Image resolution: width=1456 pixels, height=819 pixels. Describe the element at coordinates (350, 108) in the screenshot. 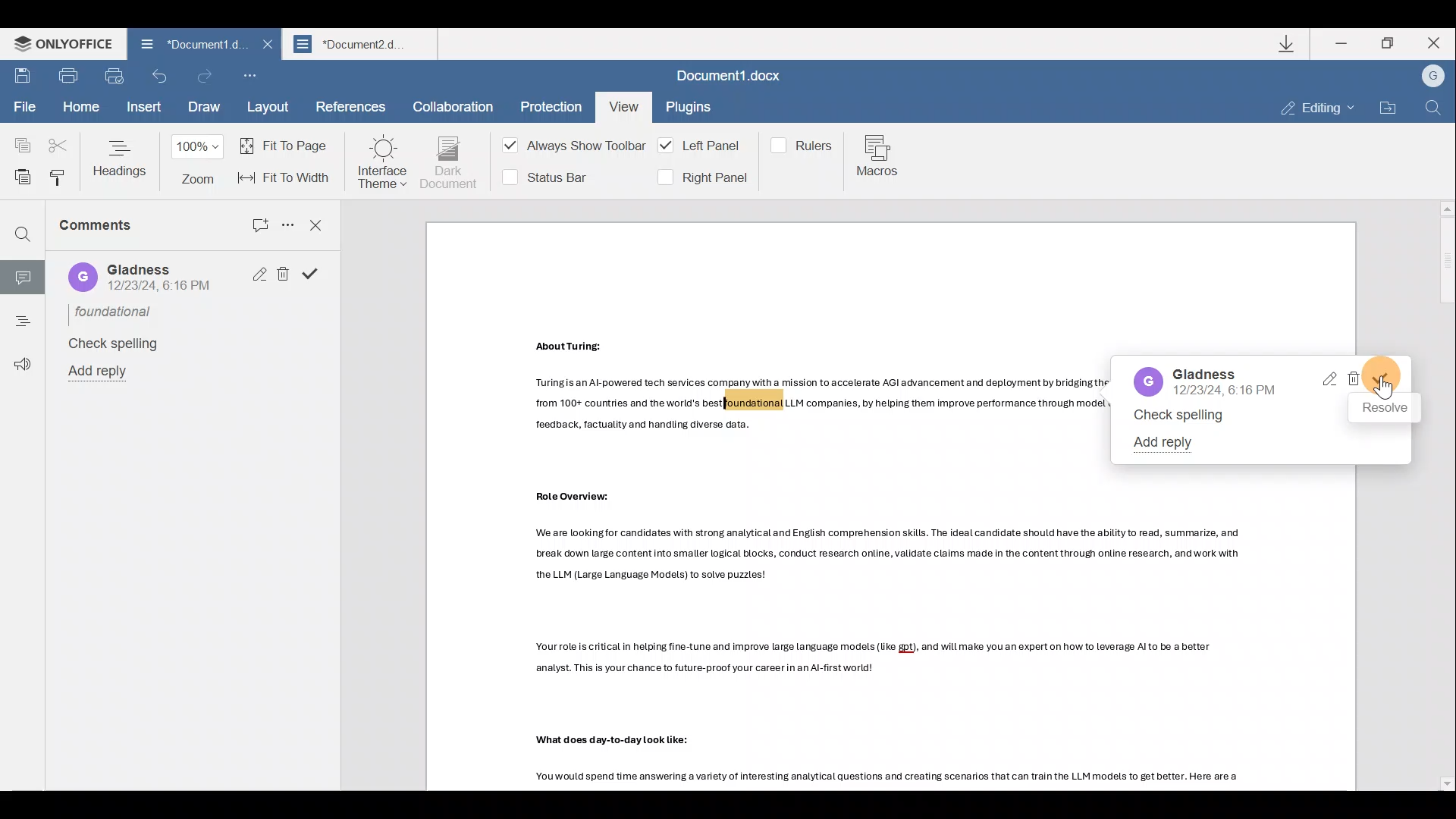

I see `References` at that location.